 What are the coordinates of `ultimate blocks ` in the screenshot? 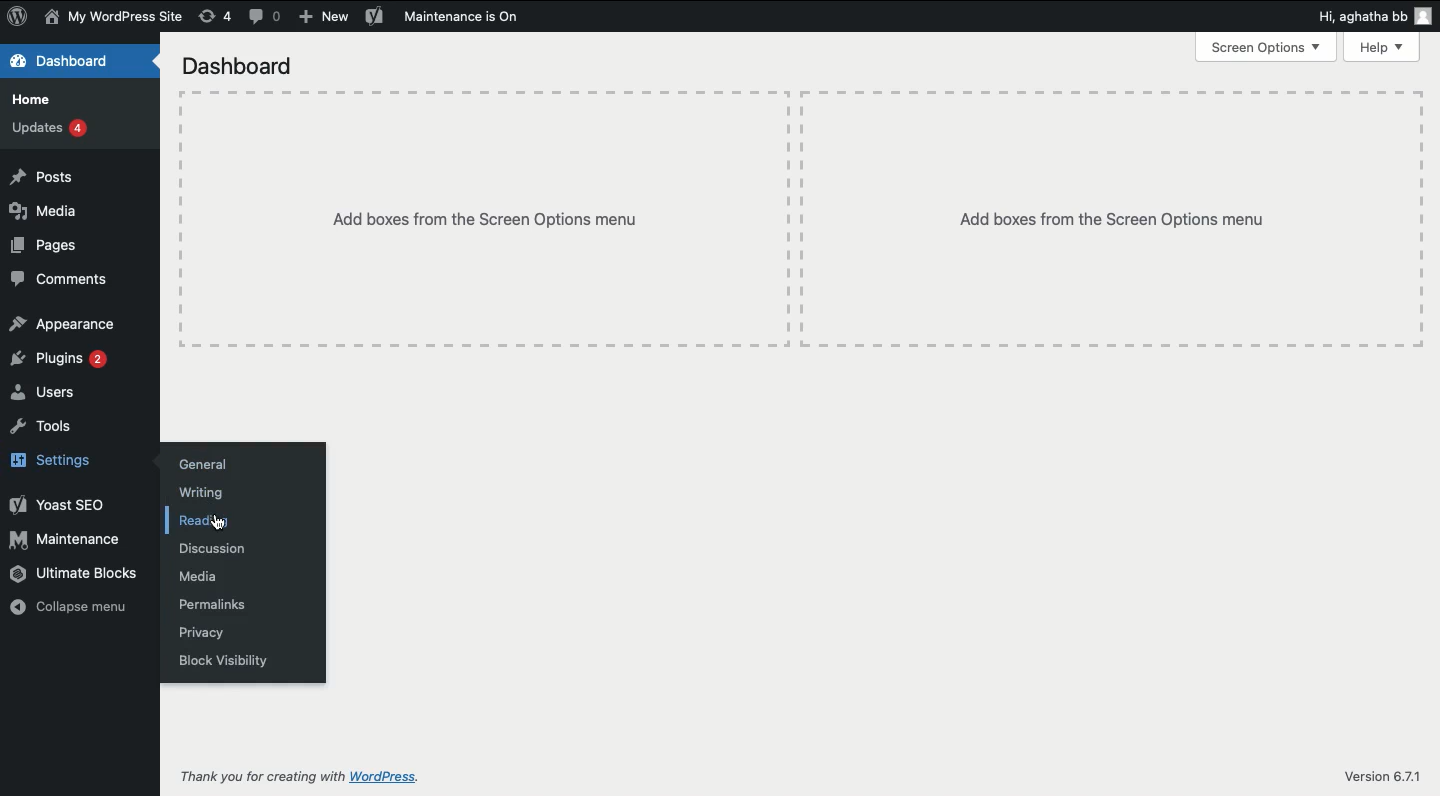 It's located at (76, 576).